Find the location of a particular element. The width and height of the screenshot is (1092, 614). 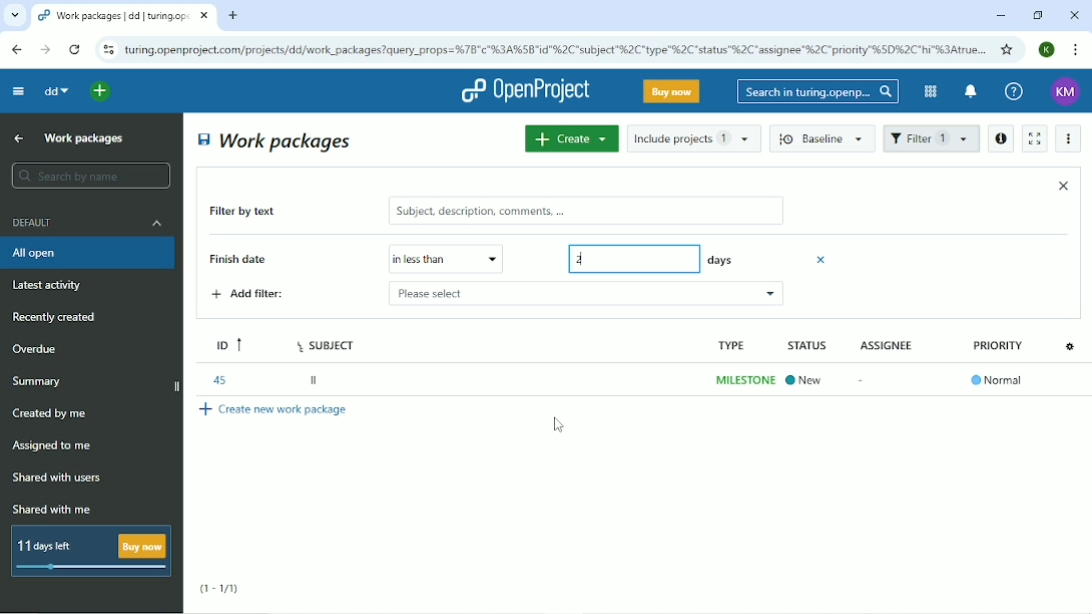

subject, description, comments is located at coordinates (585, 211).